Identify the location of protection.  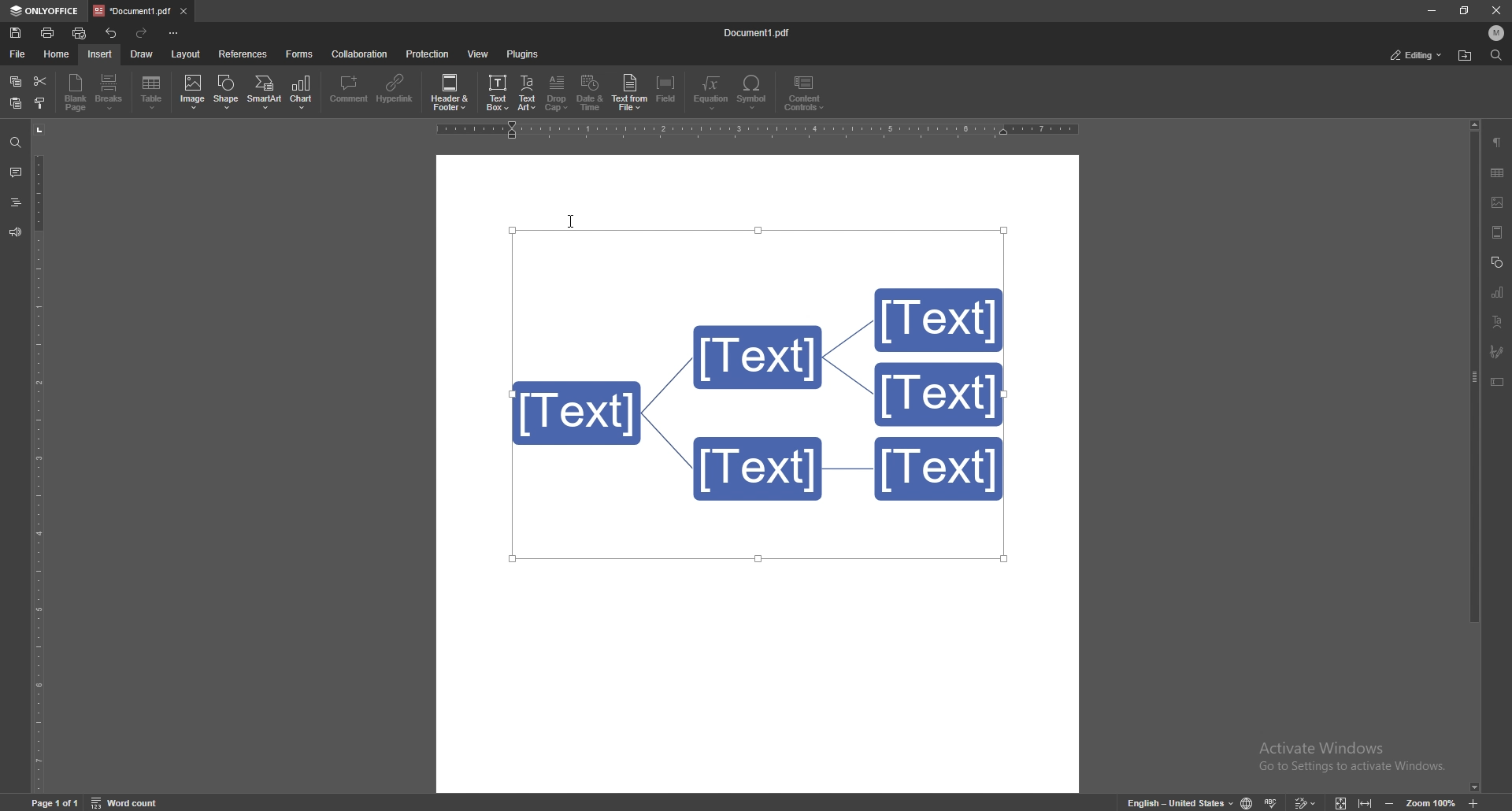
(428, 54).